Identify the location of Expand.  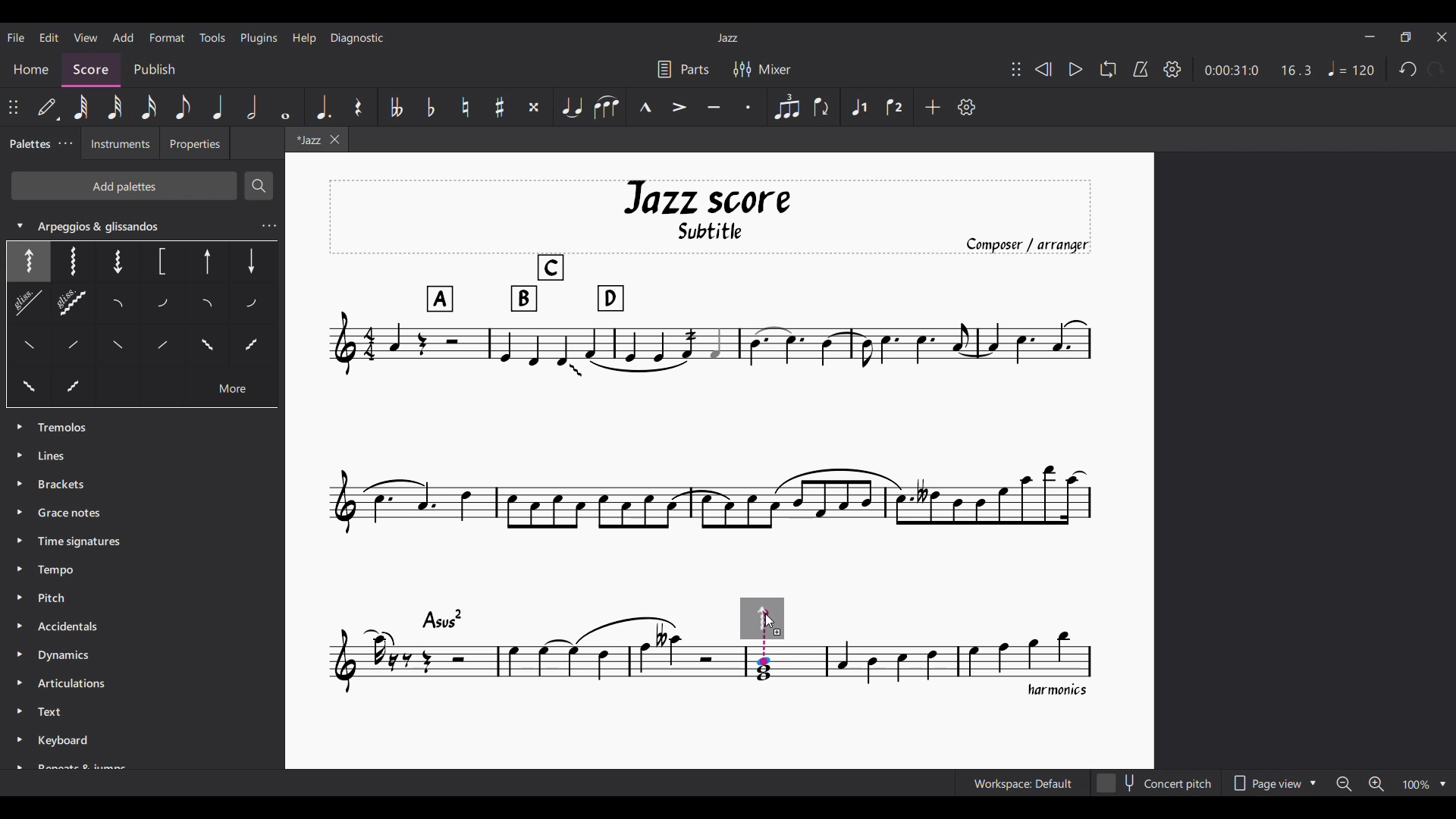
(17, 594).